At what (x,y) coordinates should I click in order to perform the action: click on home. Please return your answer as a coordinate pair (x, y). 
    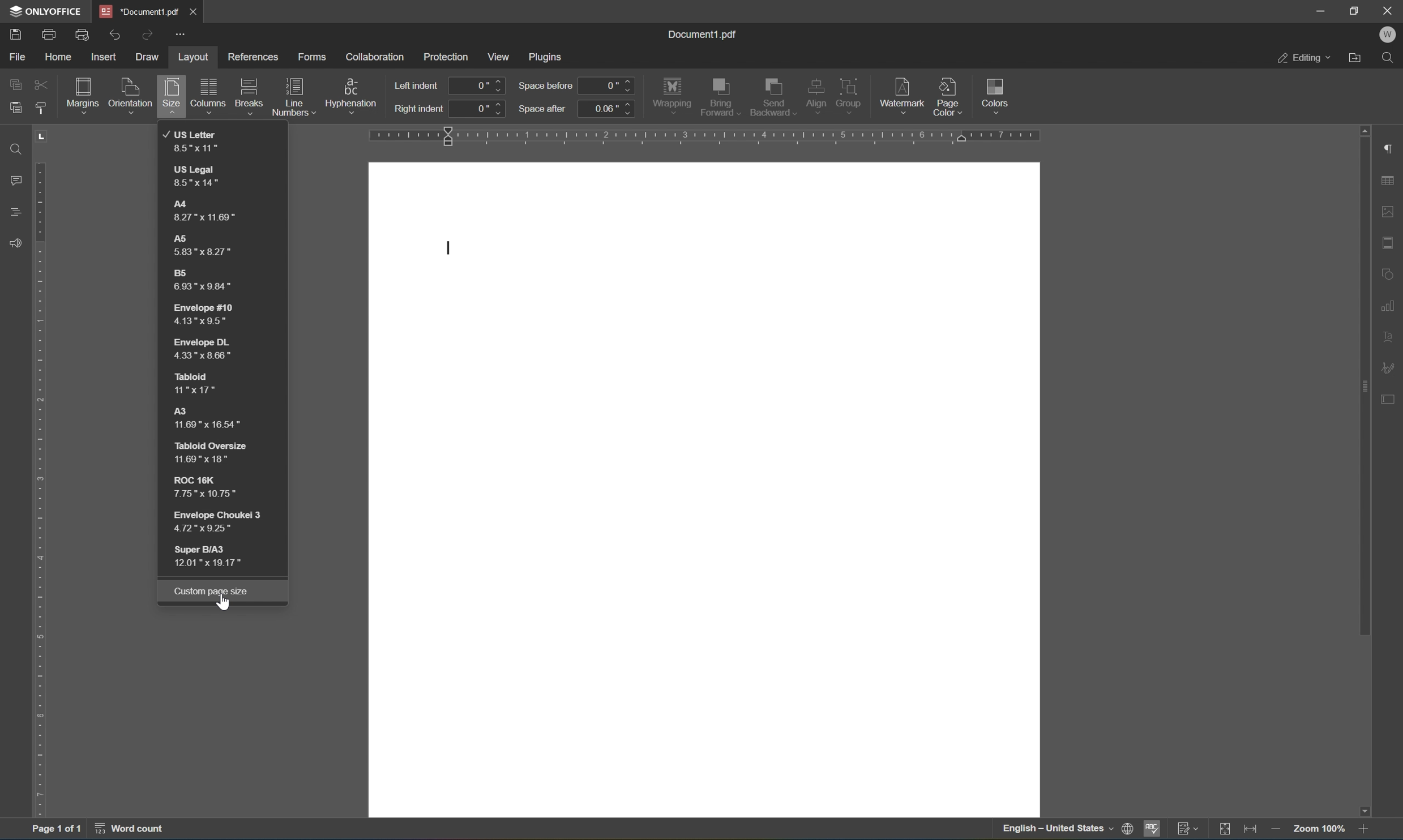
    Looking at the image, I should click on (56, 56).